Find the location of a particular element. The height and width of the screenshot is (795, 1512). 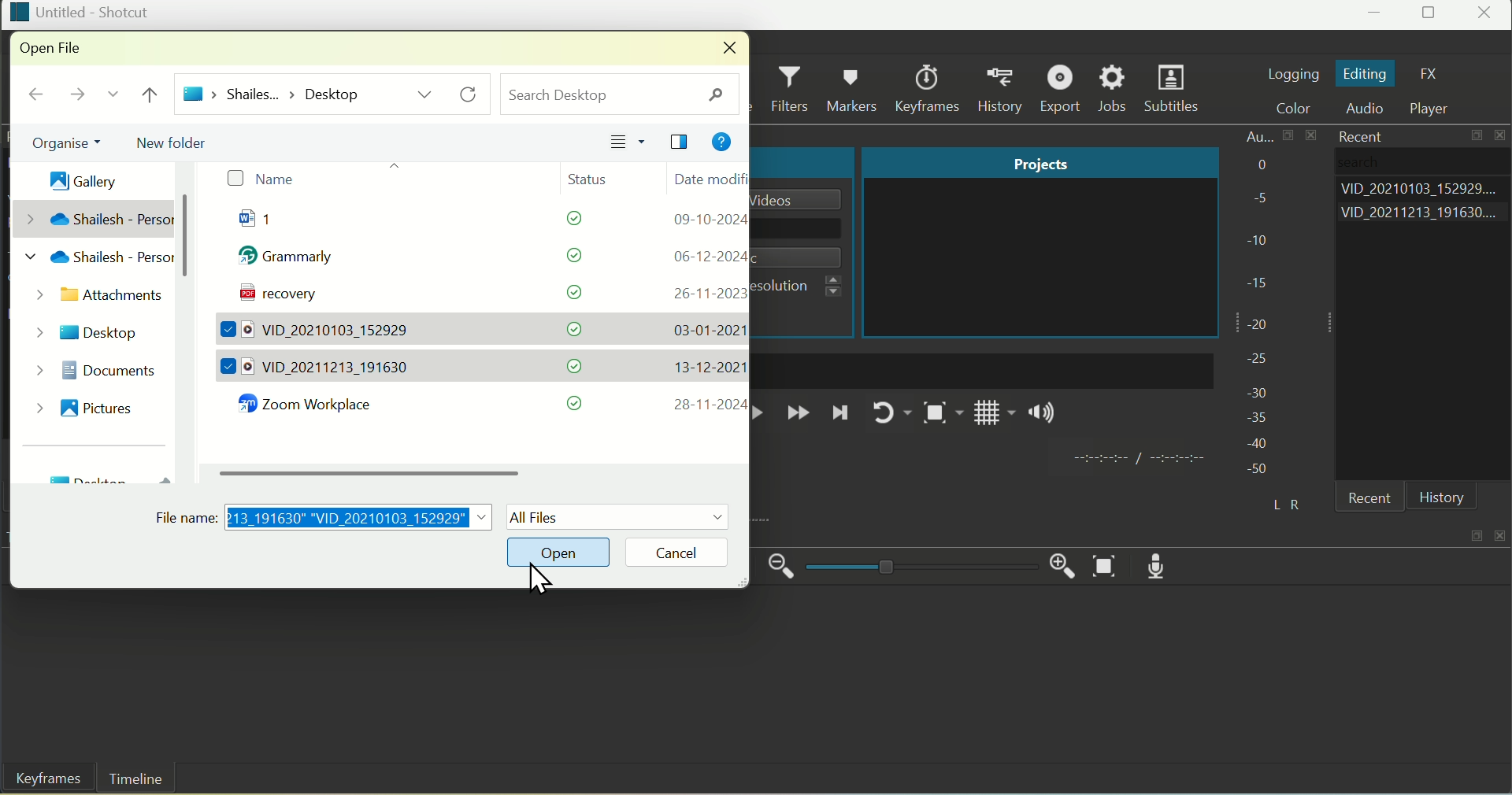

search is located at coordinates (621, 93).